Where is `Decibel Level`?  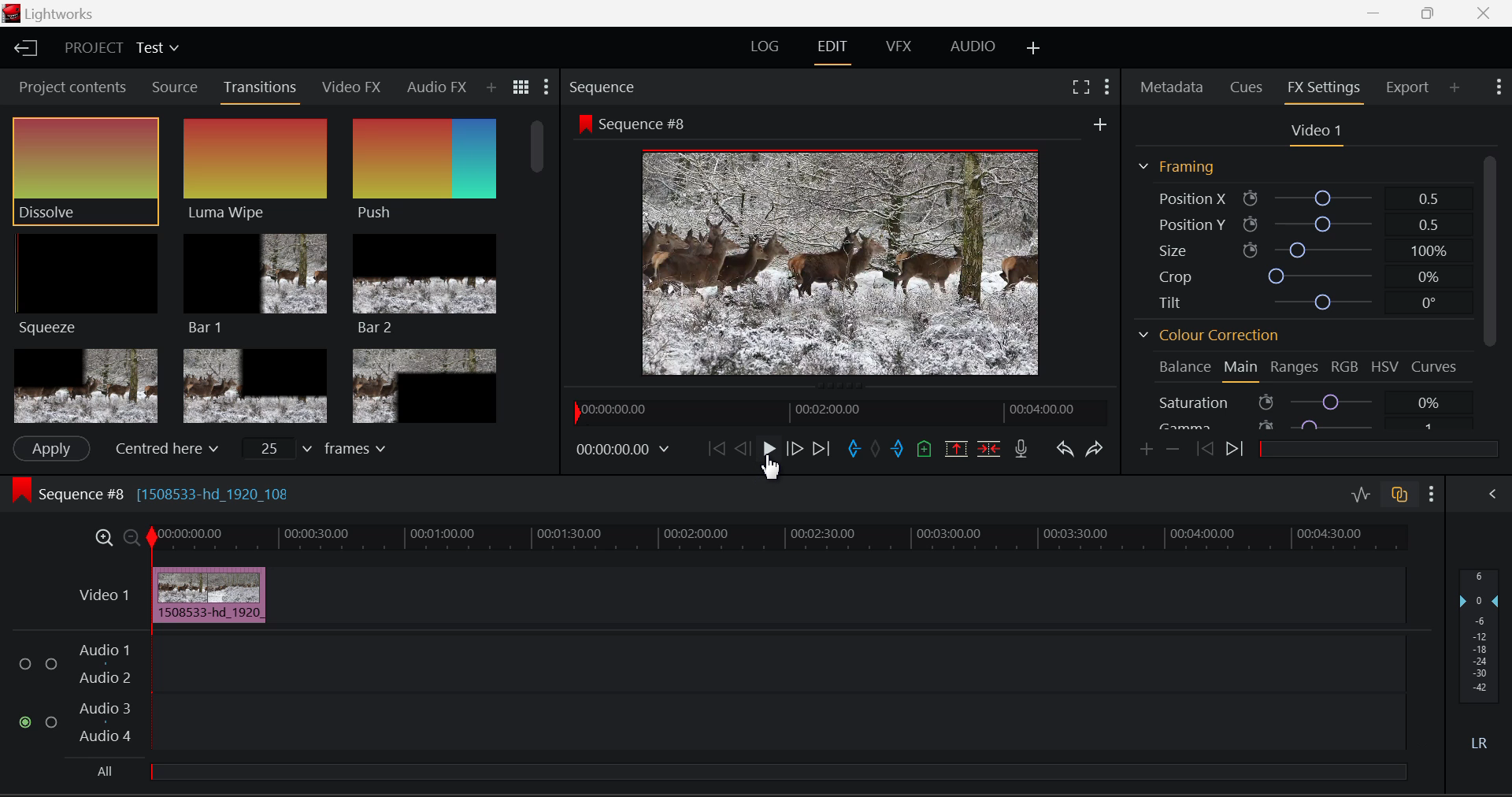
Decibel Level is located at coordinates (1482, 662).